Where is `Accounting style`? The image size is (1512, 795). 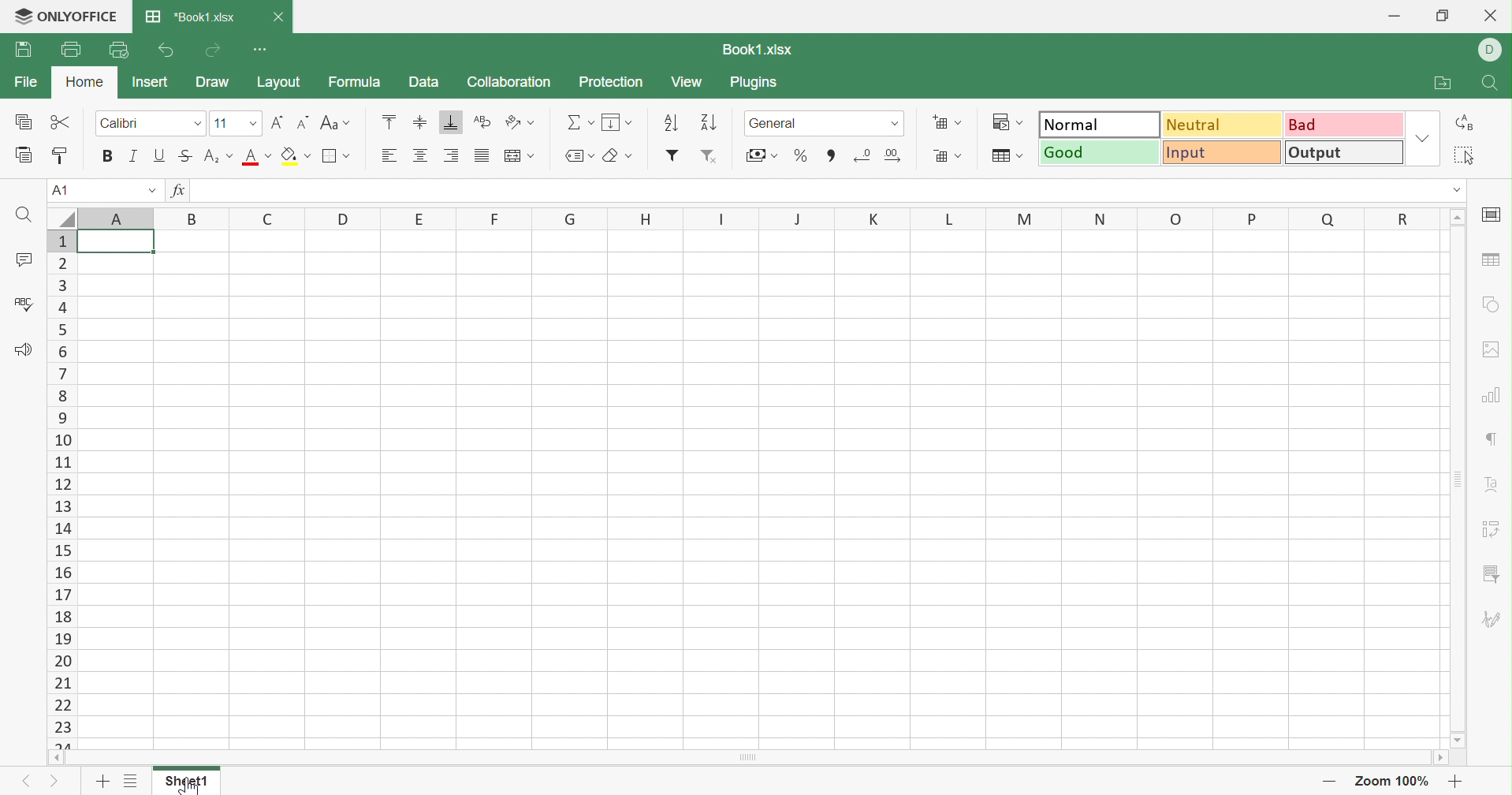
Accounting style is located at coordinates (760, 155).